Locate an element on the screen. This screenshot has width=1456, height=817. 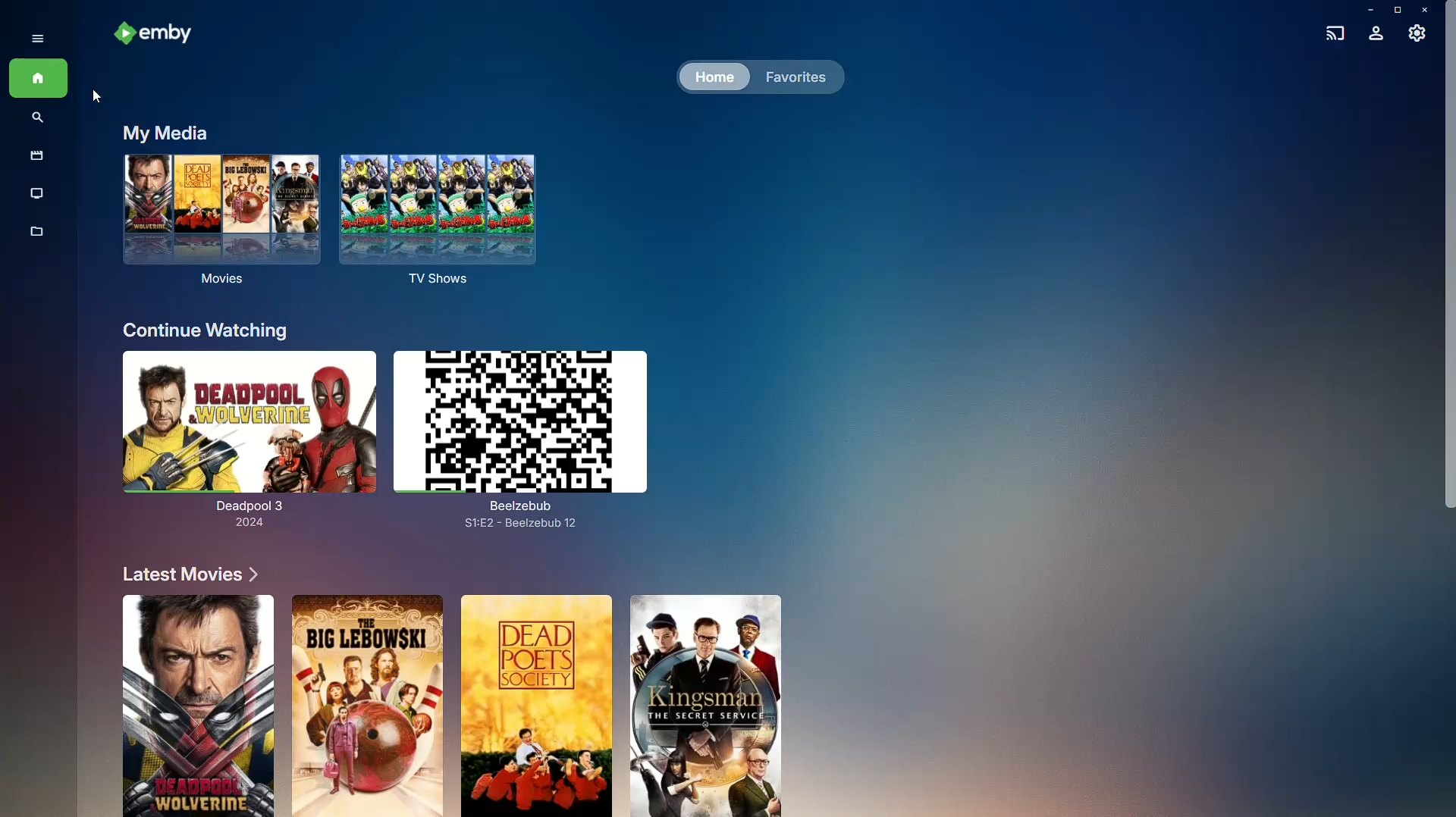
Beelzebub is located at coordinates (538, 434).